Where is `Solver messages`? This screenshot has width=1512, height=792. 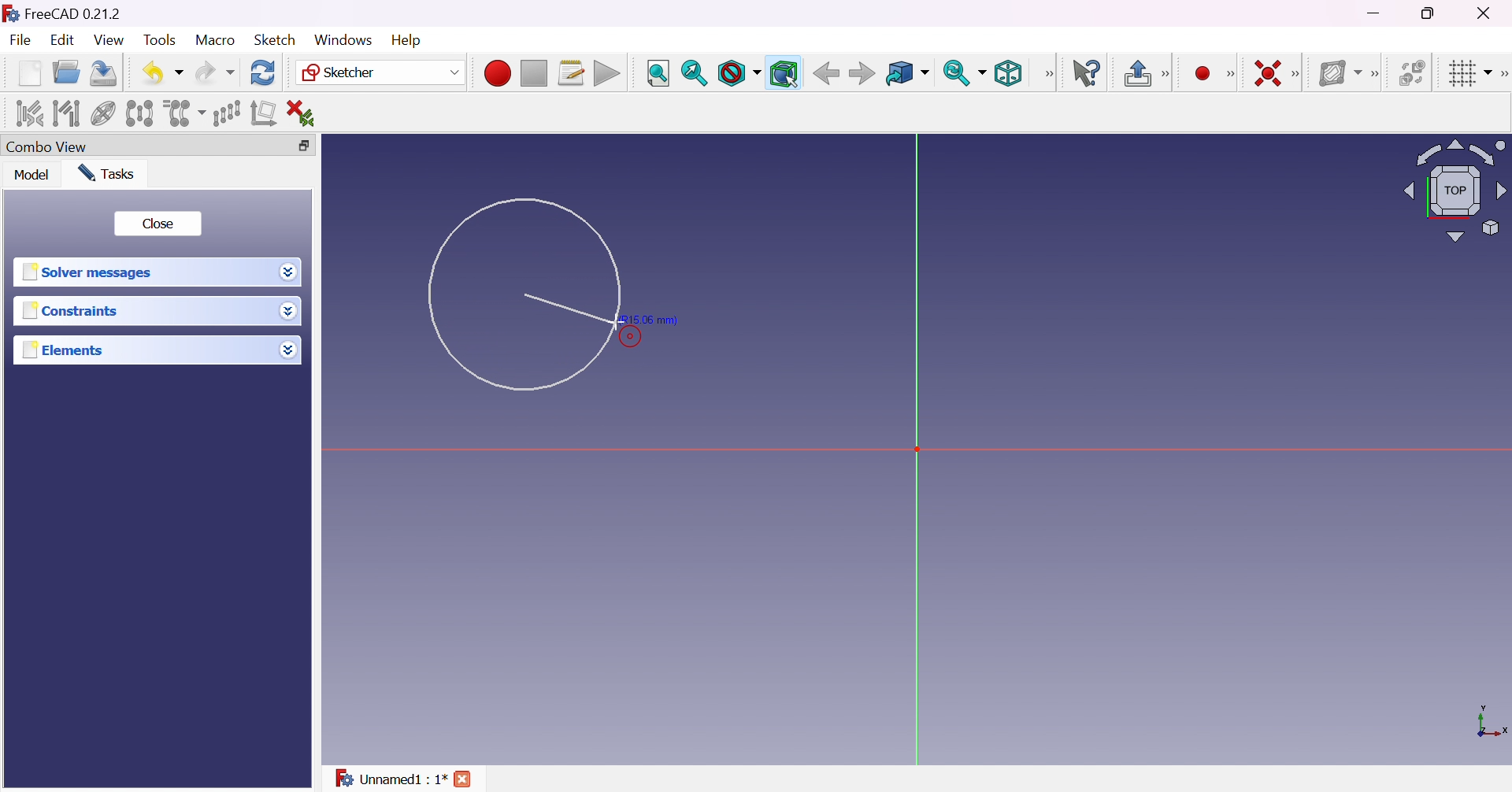
Solver messages is located at coordinates (87, 272).